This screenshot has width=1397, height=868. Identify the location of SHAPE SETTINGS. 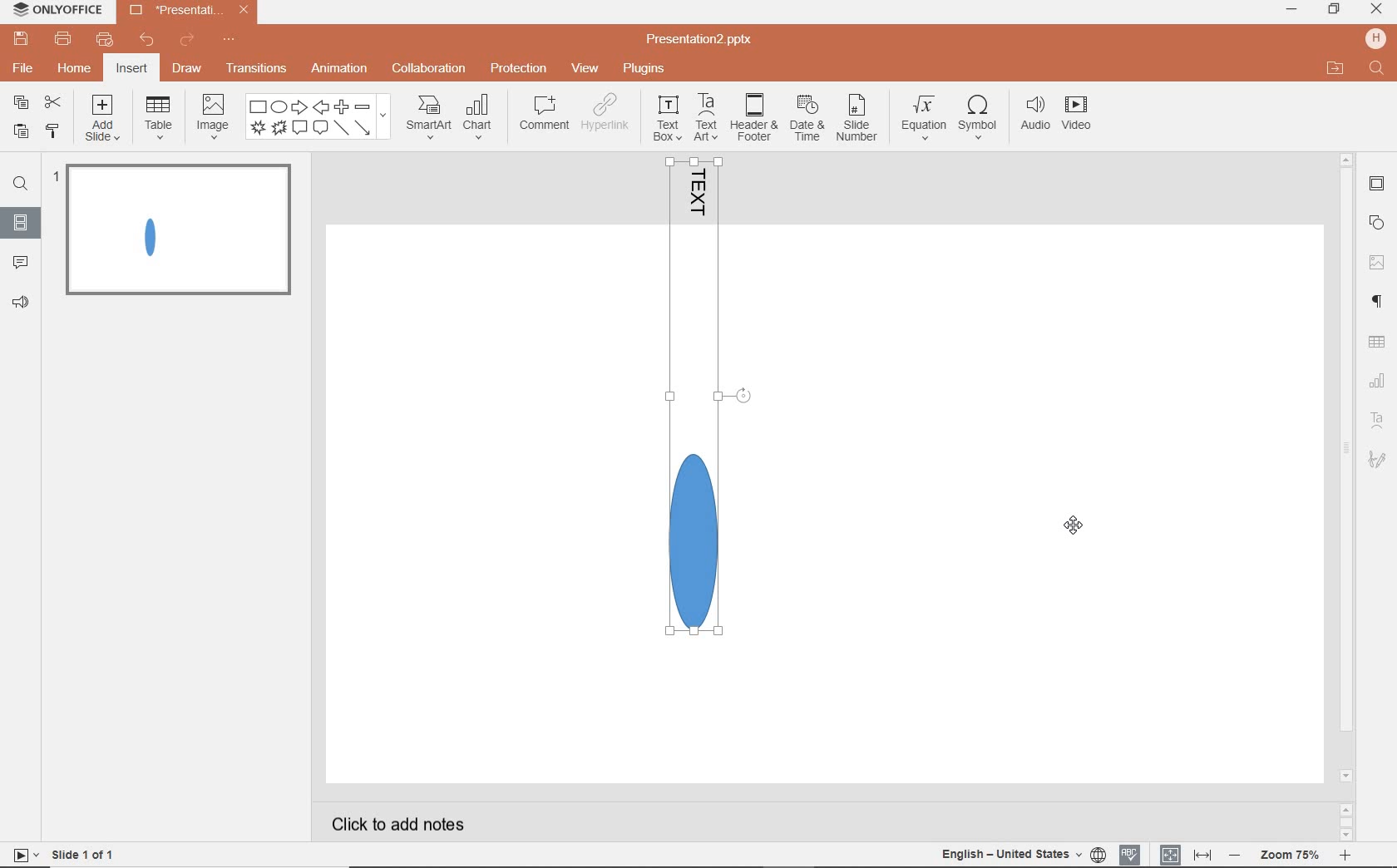
(1378, 220).